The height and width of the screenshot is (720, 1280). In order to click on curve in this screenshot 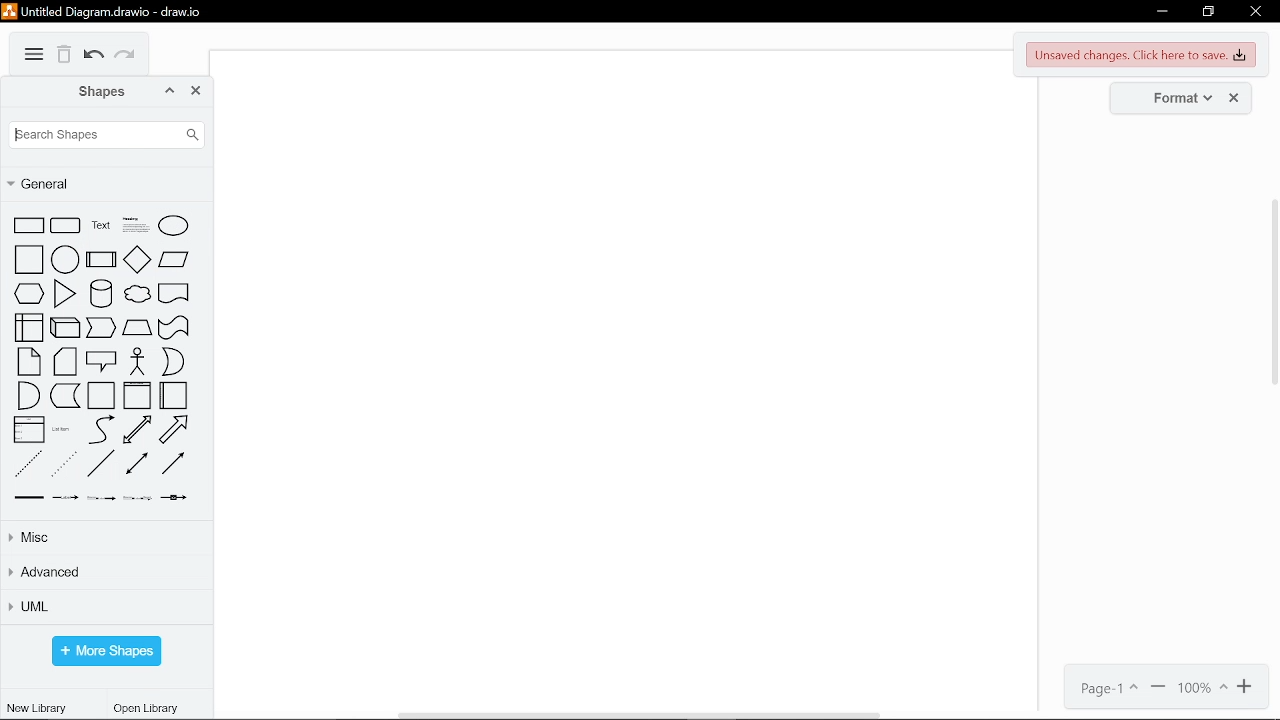, I will do `click(99, 430)`.